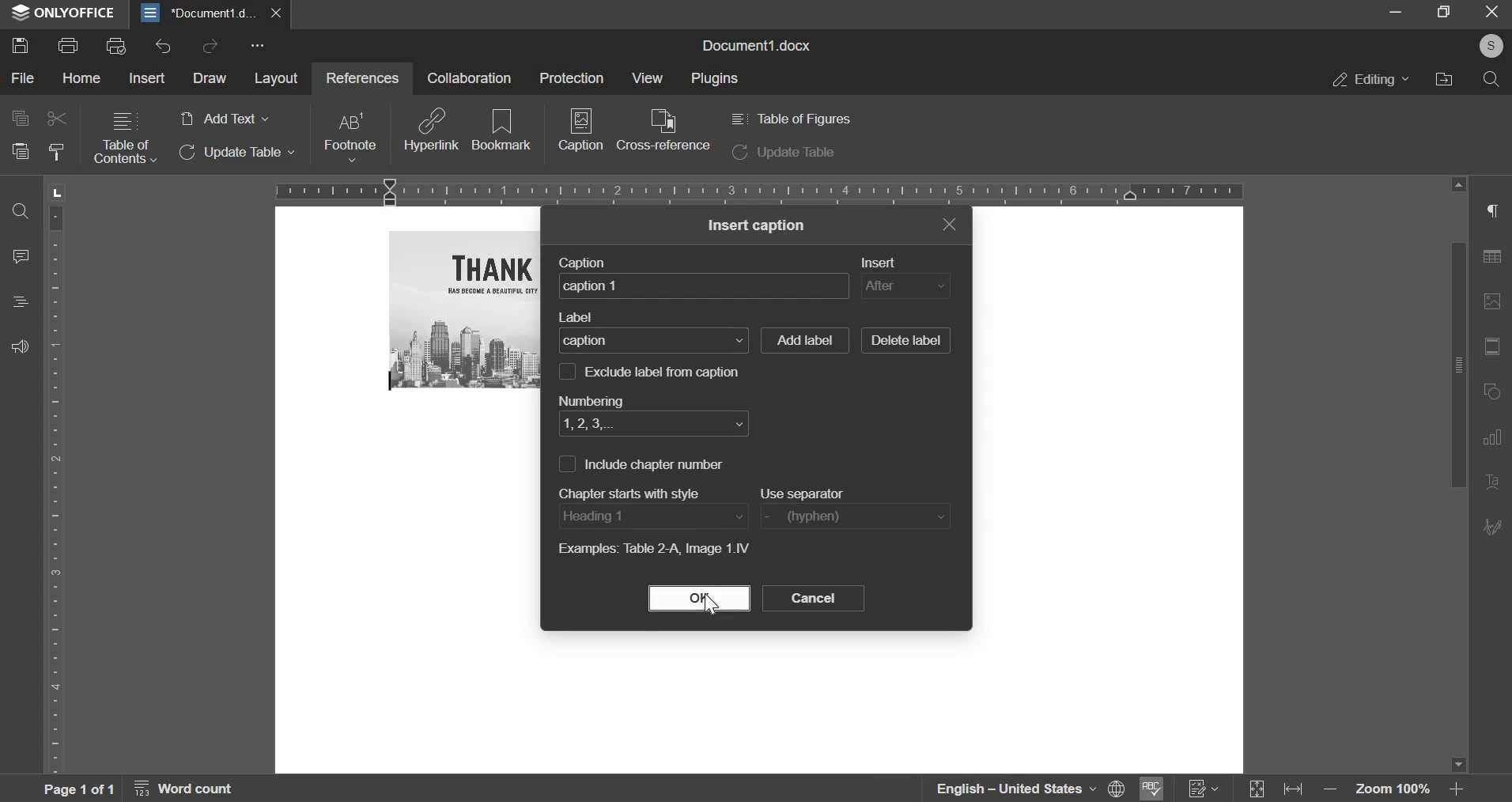 This screenshot has width=1512, height=802. What do you see at coordinates (1494, 483) in the screenshot?
I see `Text` at bounding box center [1494, 483].